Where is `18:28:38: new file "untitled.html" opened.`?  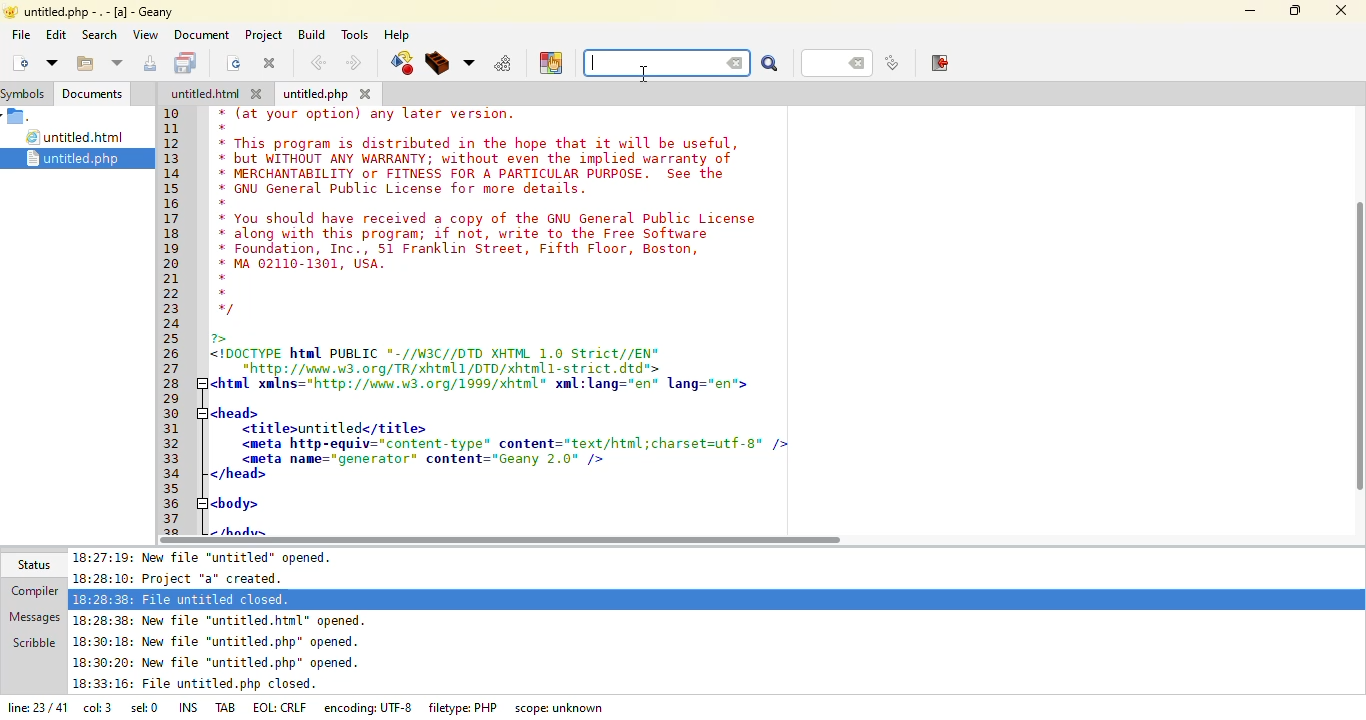
18:28:38: new file "untitled.html" opened. is located at coordinates (225, 620).